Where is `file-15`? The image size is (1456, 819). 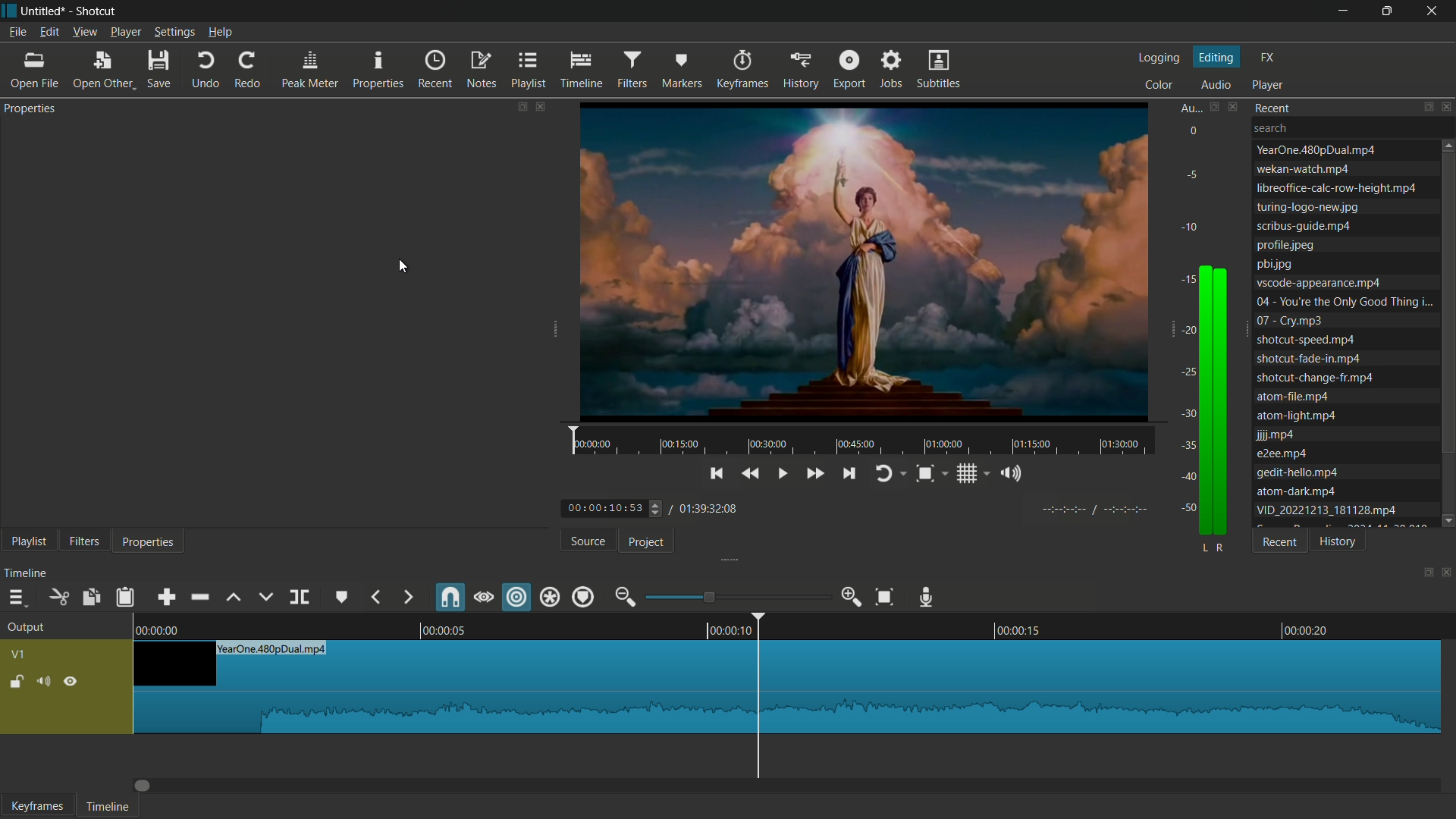 file-15 is located at coordinates (1297, 416).